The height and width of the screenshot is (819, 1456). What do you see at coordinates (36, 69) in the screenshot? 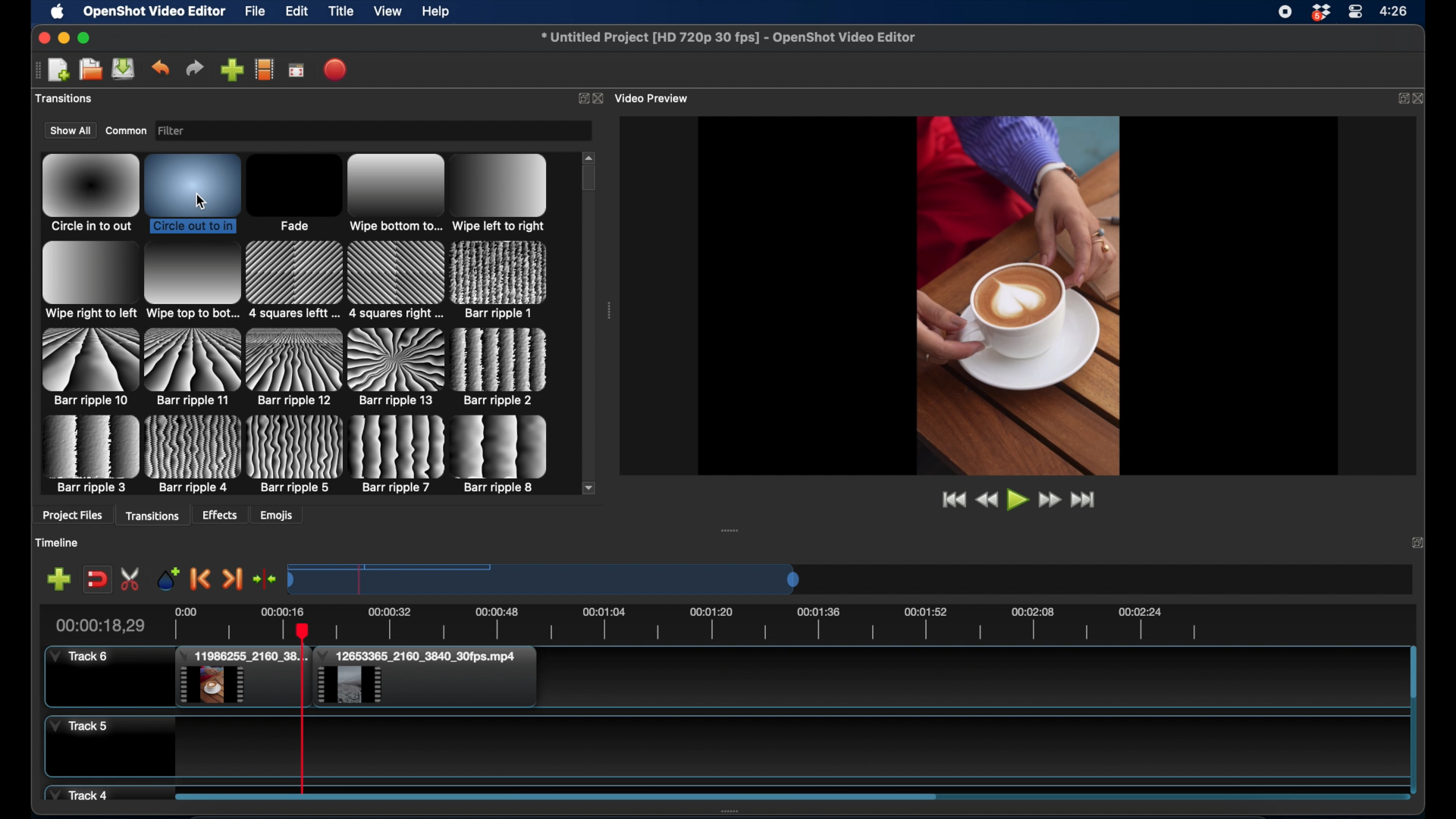
I see `drag handle` at bounding box center [36, 69].